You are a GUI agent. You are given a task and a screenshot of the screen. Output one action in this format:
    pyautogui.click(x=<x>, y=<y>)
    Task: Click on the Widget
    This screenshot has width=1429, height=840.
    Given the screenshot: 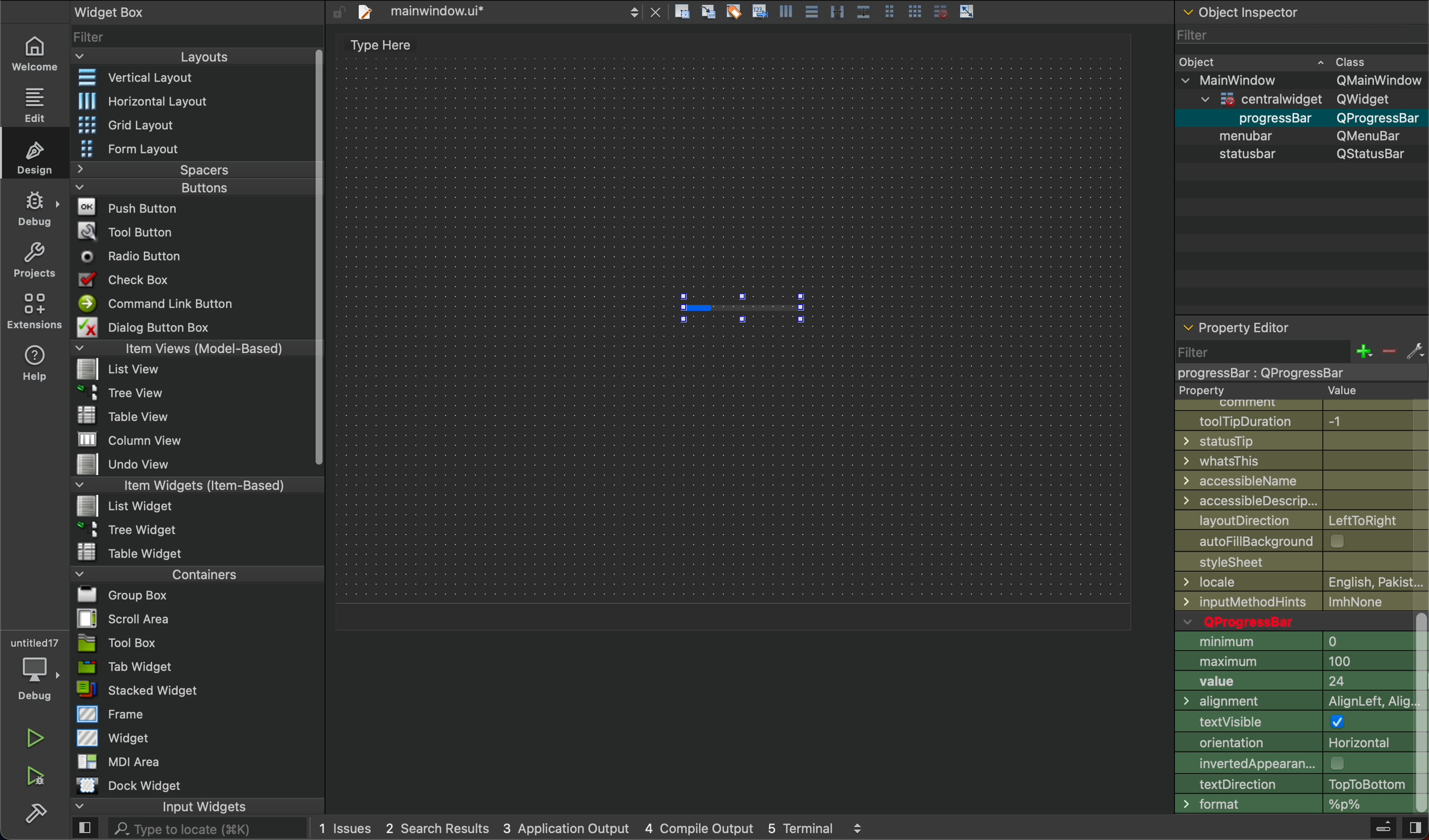 What is the action you would take?
    pyautogui.click(x=116, y=737)
    